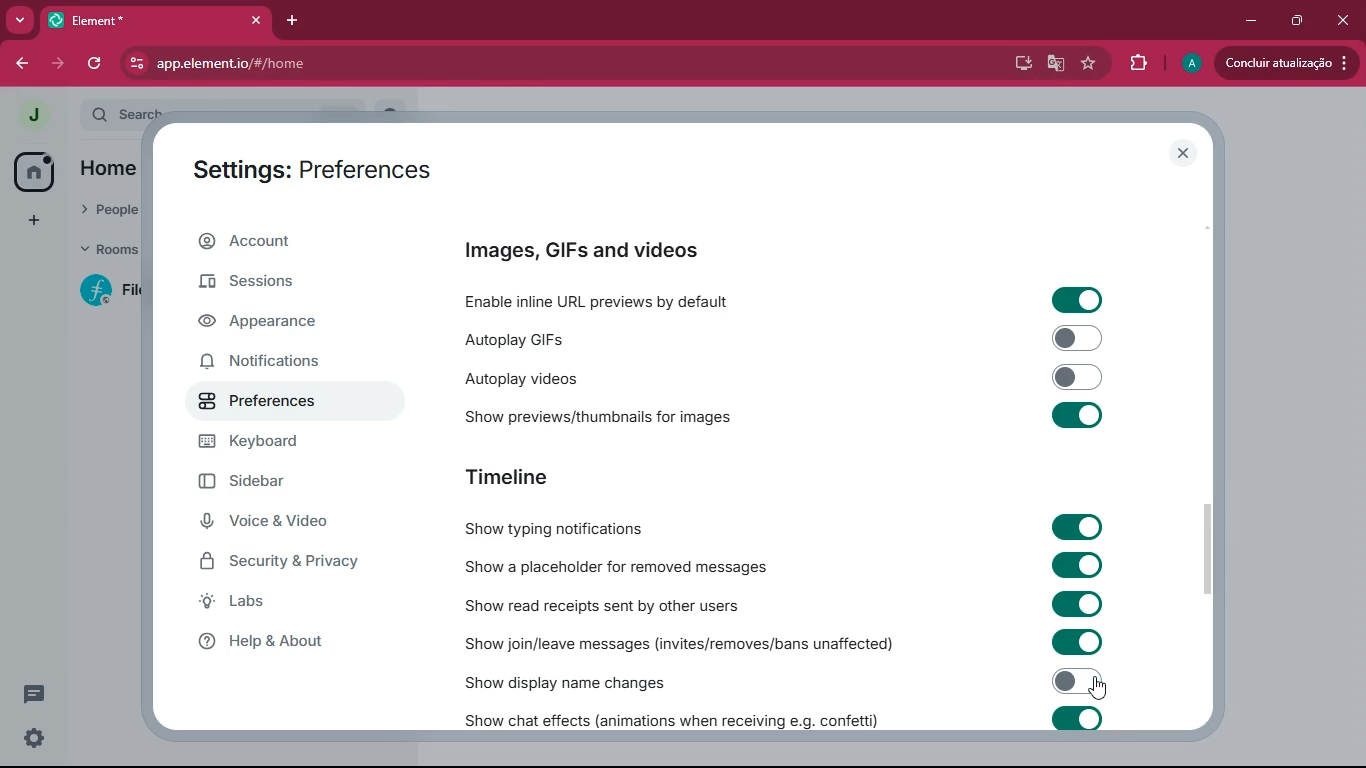 The width and height of the screenshot is (1366, 768). What do you see at coordinates (561, 528) in the screenshot?
I see `show typing notifications` at bounding box center [561, 528].